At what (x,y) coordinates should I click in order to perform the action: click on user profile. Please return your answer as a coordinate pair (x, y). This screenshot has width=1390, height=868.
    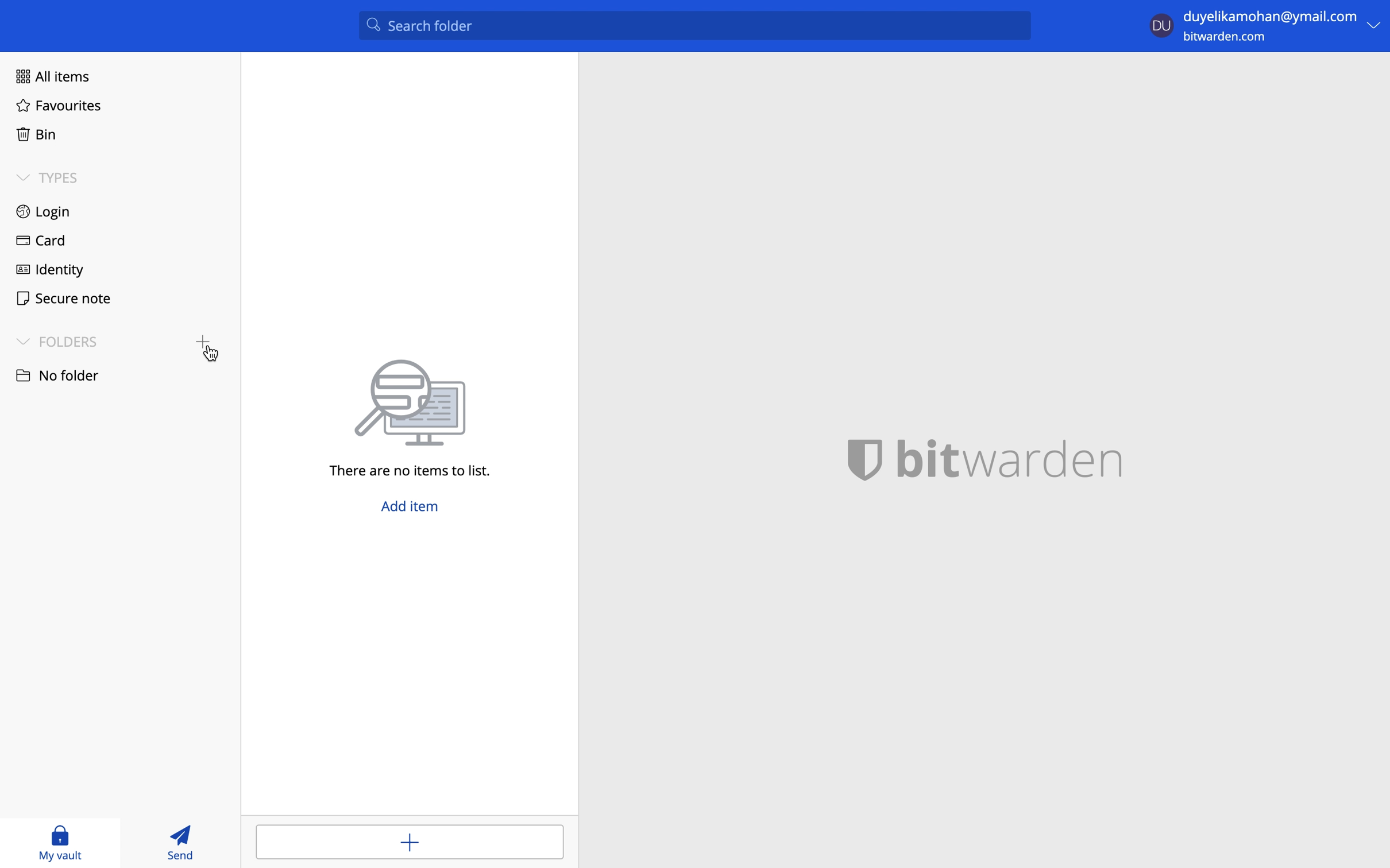
    Looking at the image, I should click on (1161, 24).